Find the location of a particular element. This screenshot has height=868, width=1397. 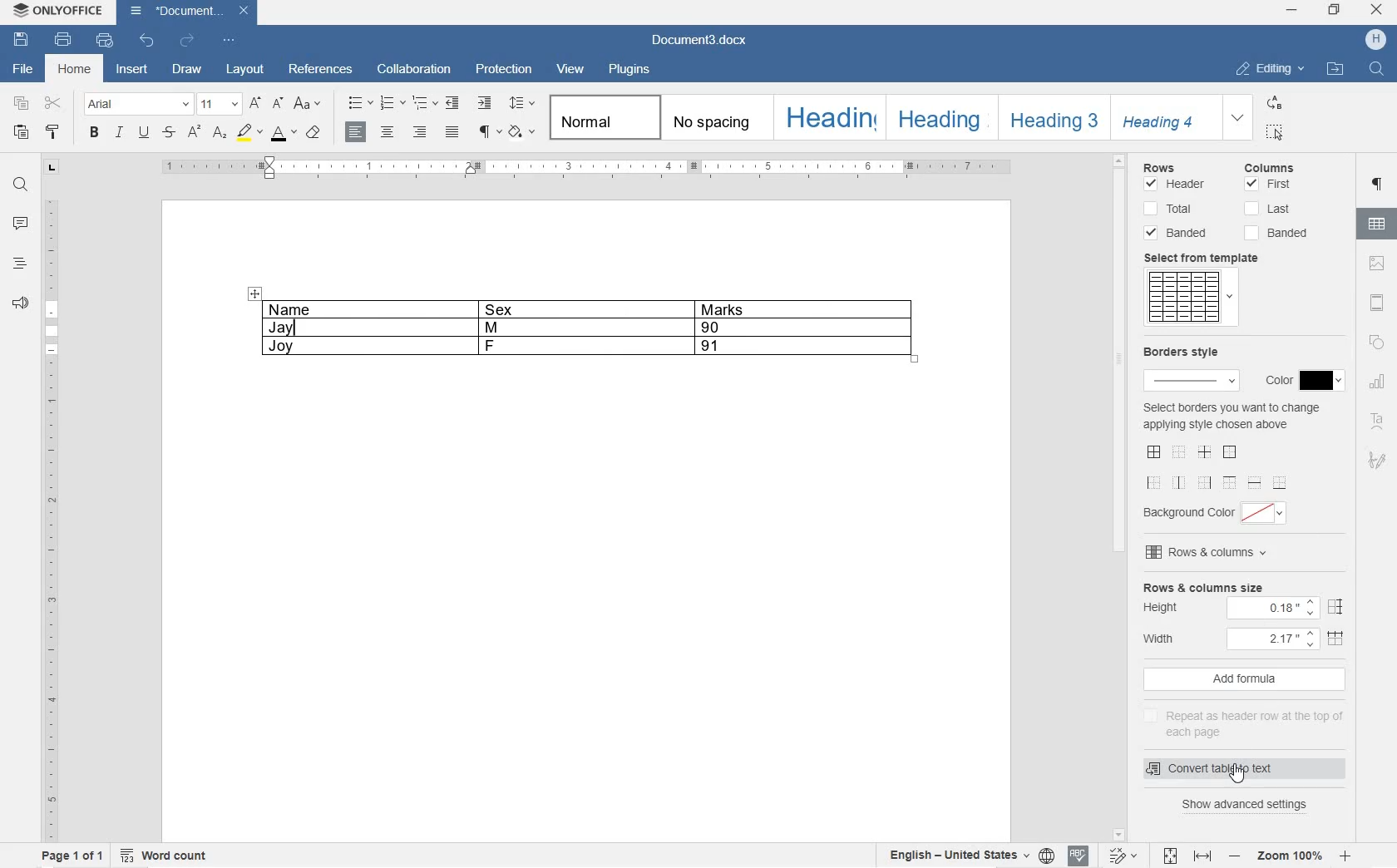

RULER is located at coordinates (49, 517).